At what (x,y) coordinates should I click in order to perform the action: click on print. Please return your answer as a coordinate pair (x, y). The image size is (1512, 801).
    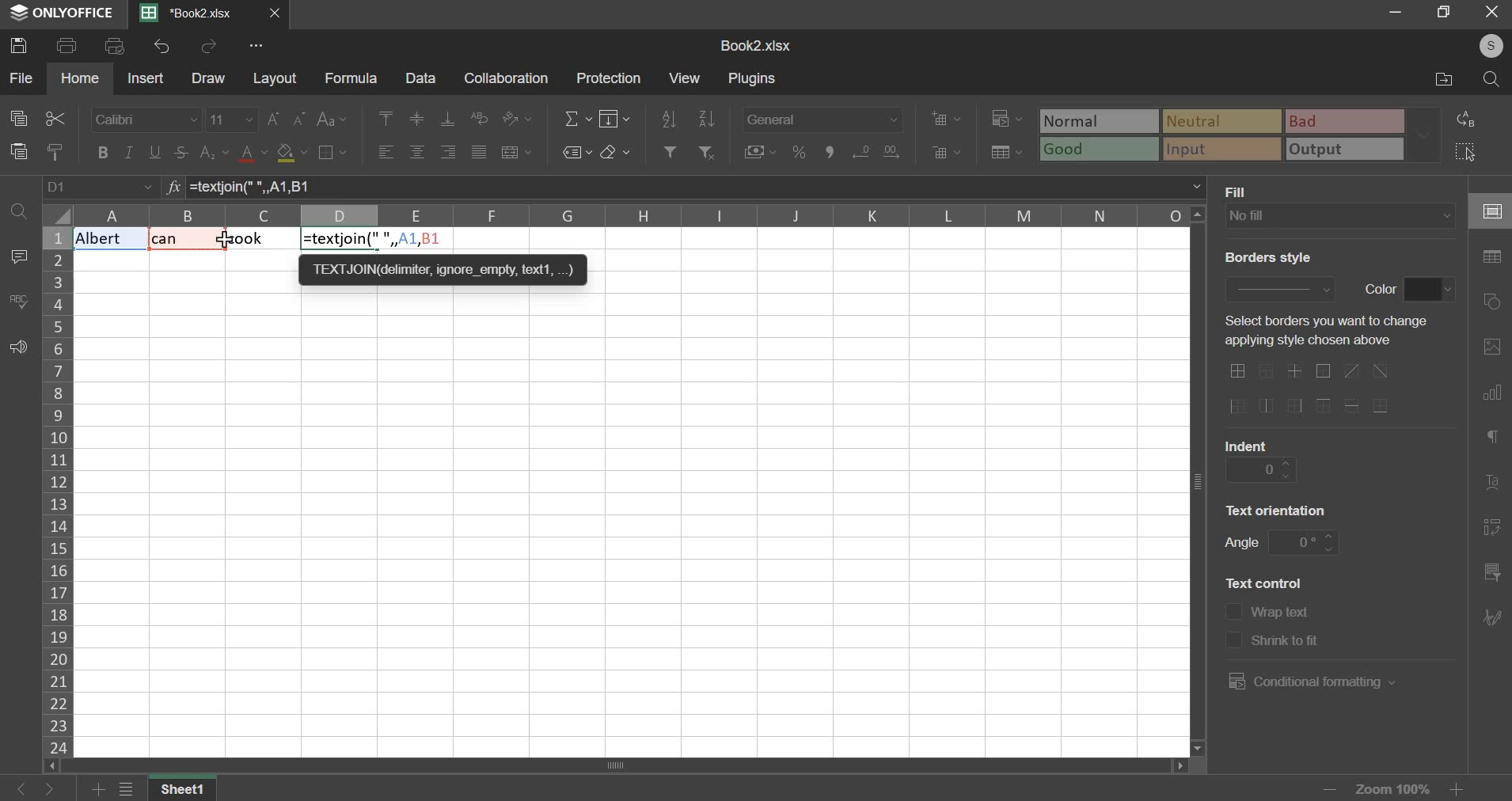
    Looking at the image, I should click on (67, 46).